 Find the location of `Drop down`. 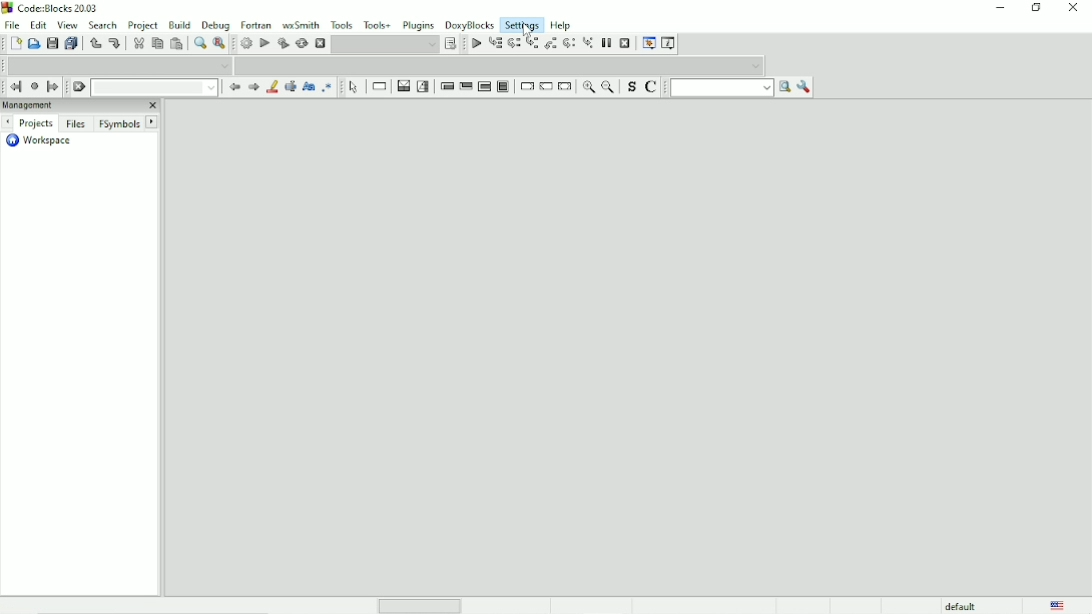

Drop down is located at coordinates (222, 65).